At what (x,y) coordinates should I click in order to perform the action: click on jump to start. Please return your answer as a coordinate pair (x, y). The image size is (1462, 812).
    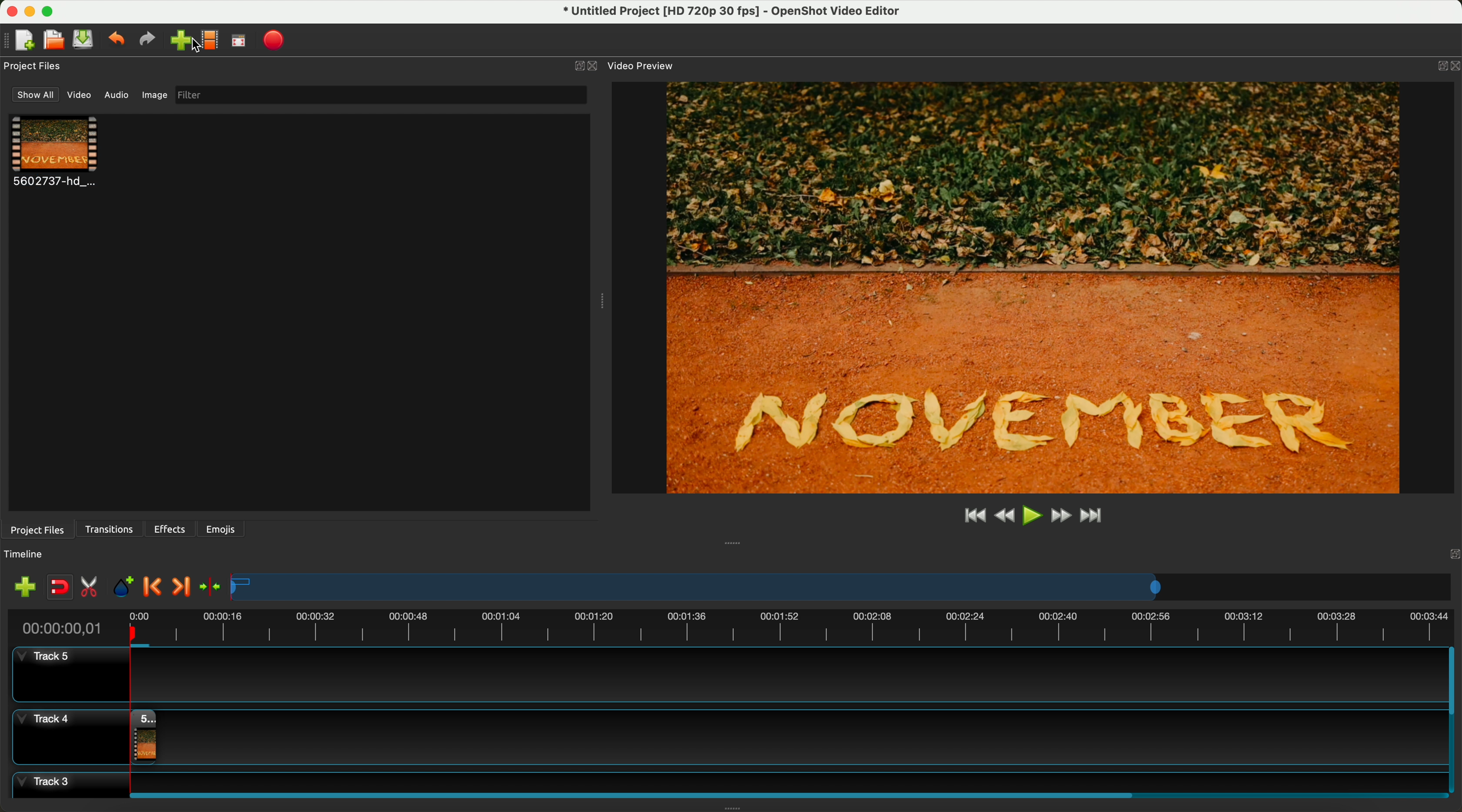
    Looking at the image, I should click on (975, 516).